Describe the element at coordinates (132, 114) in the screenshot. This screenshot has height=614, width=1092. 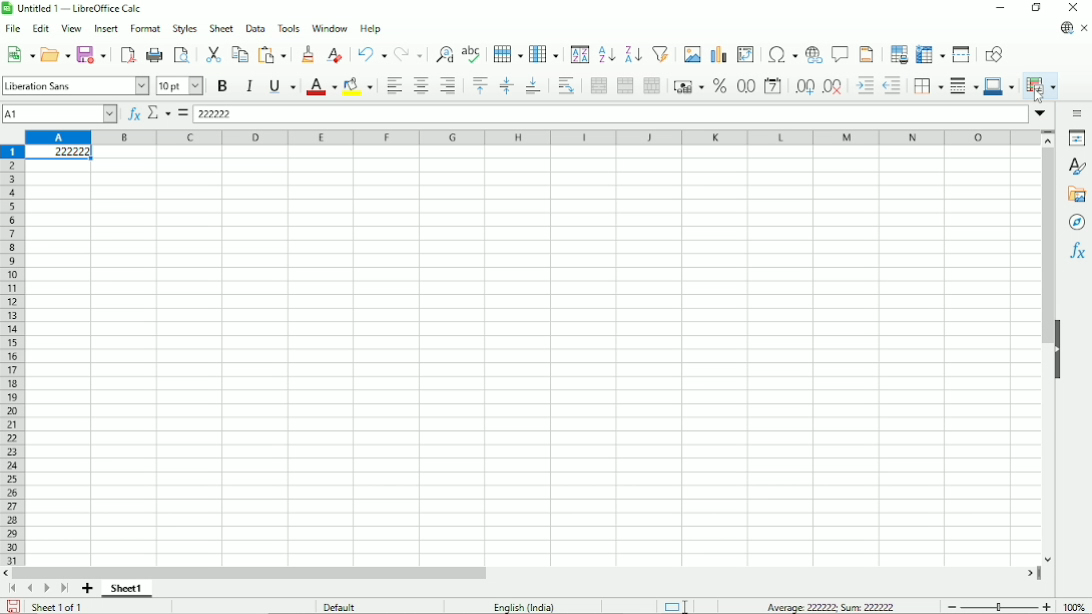
I see `Function wizard` at that location.